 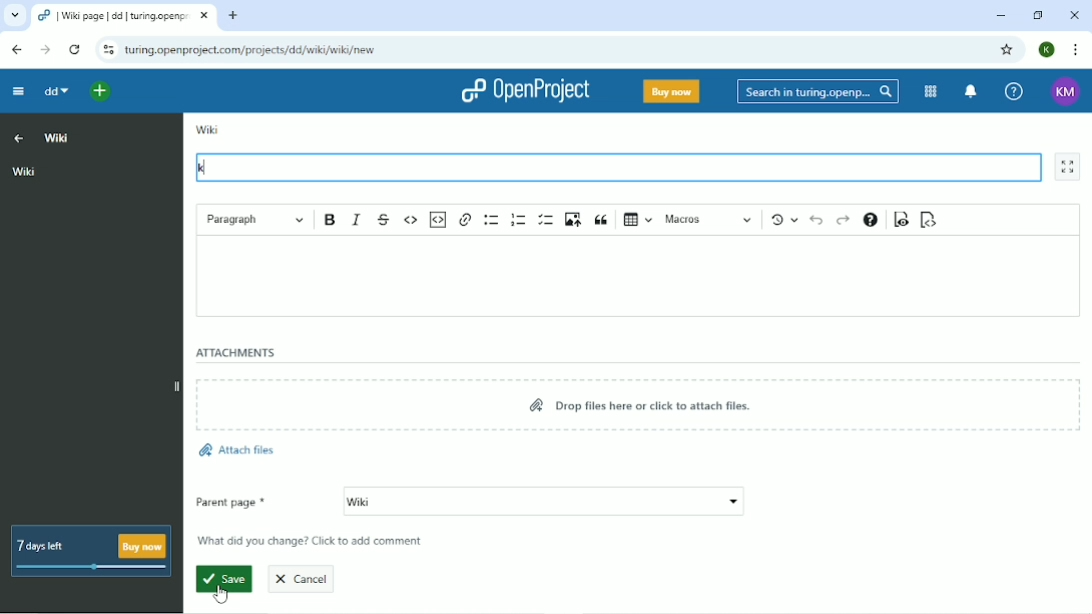 I want to click on k, so click(x=201, y=167).